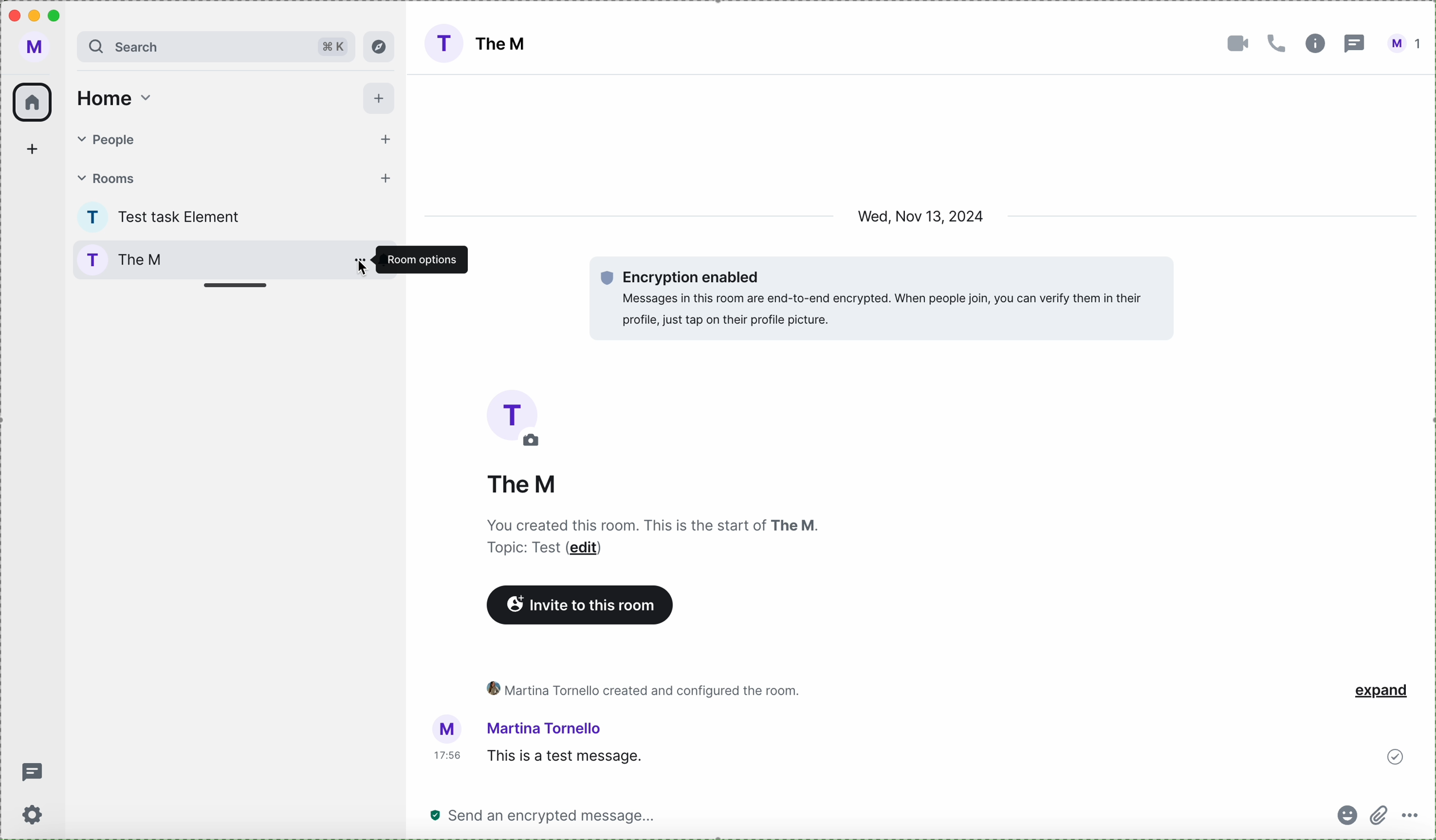  What do you see at coordinates (1278, 44) in the screenshot?
I see `call` at bounding box center [1278, 44].